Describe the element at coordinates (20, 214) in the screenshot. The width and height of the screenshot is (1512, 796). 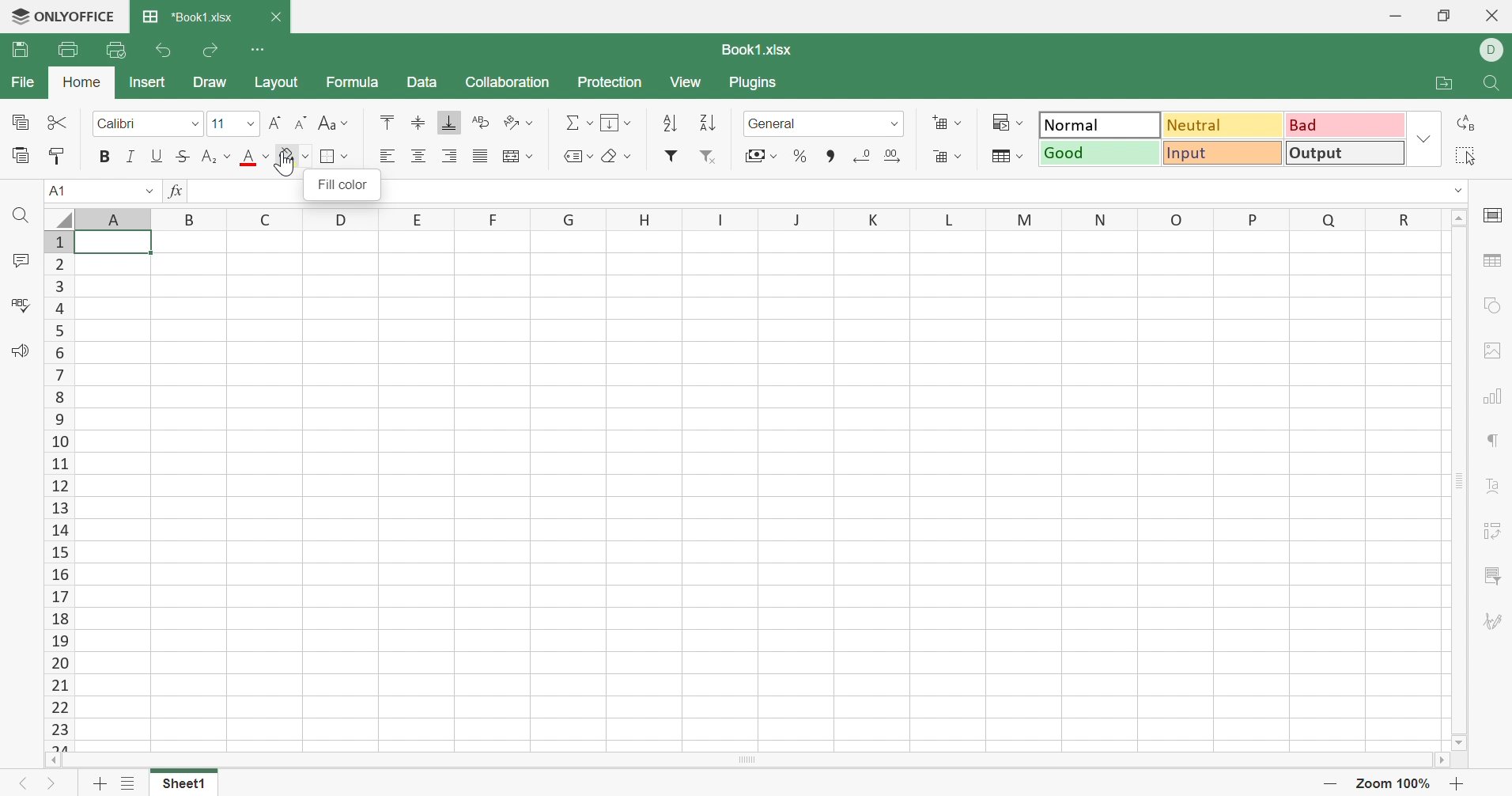
I see `Find` at that location.